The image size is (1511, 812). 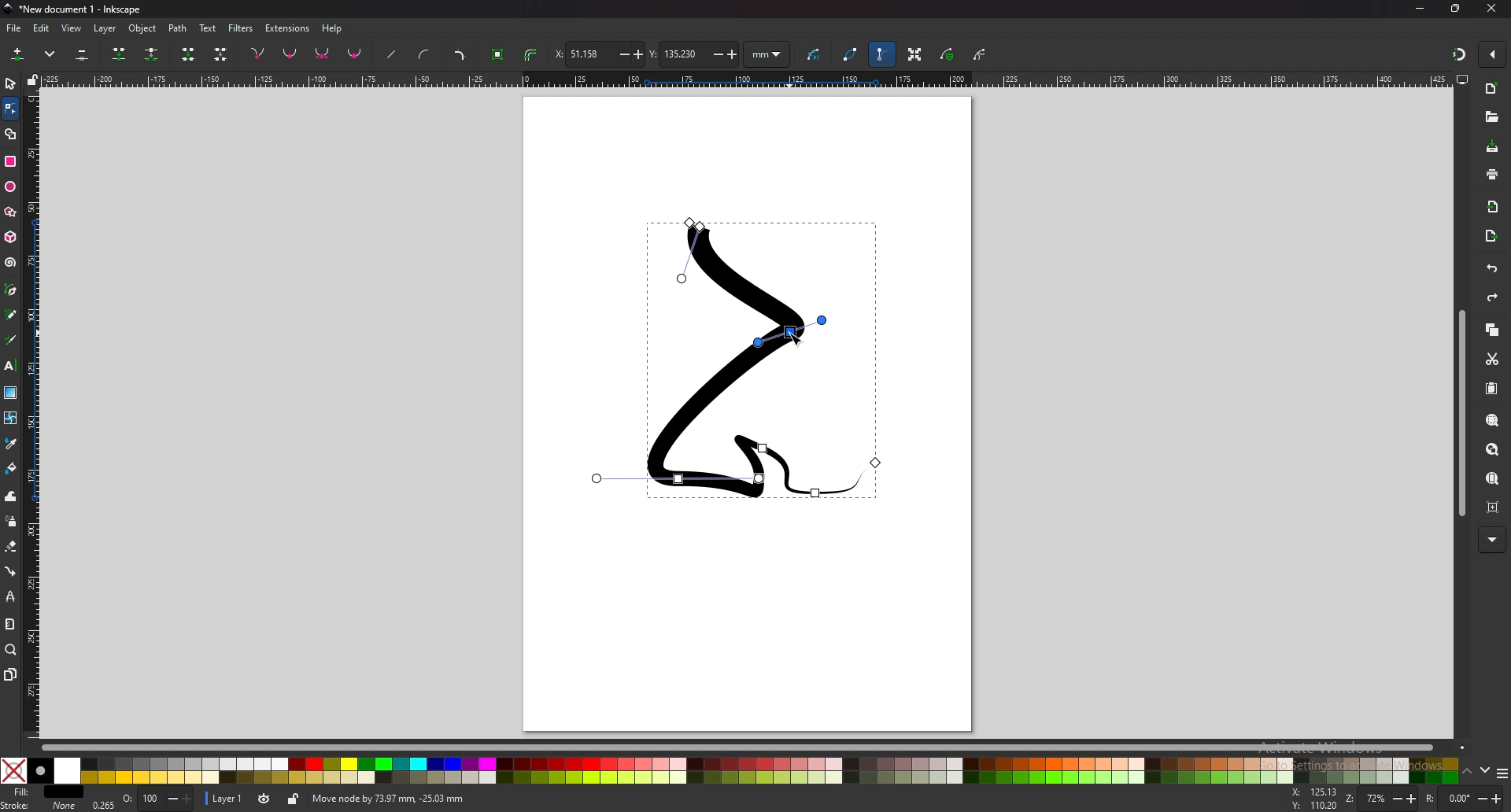 What do you see at coordinates (693, 54) in the screenshot?
I see `y coordinates` at bounding box center [693, 54].